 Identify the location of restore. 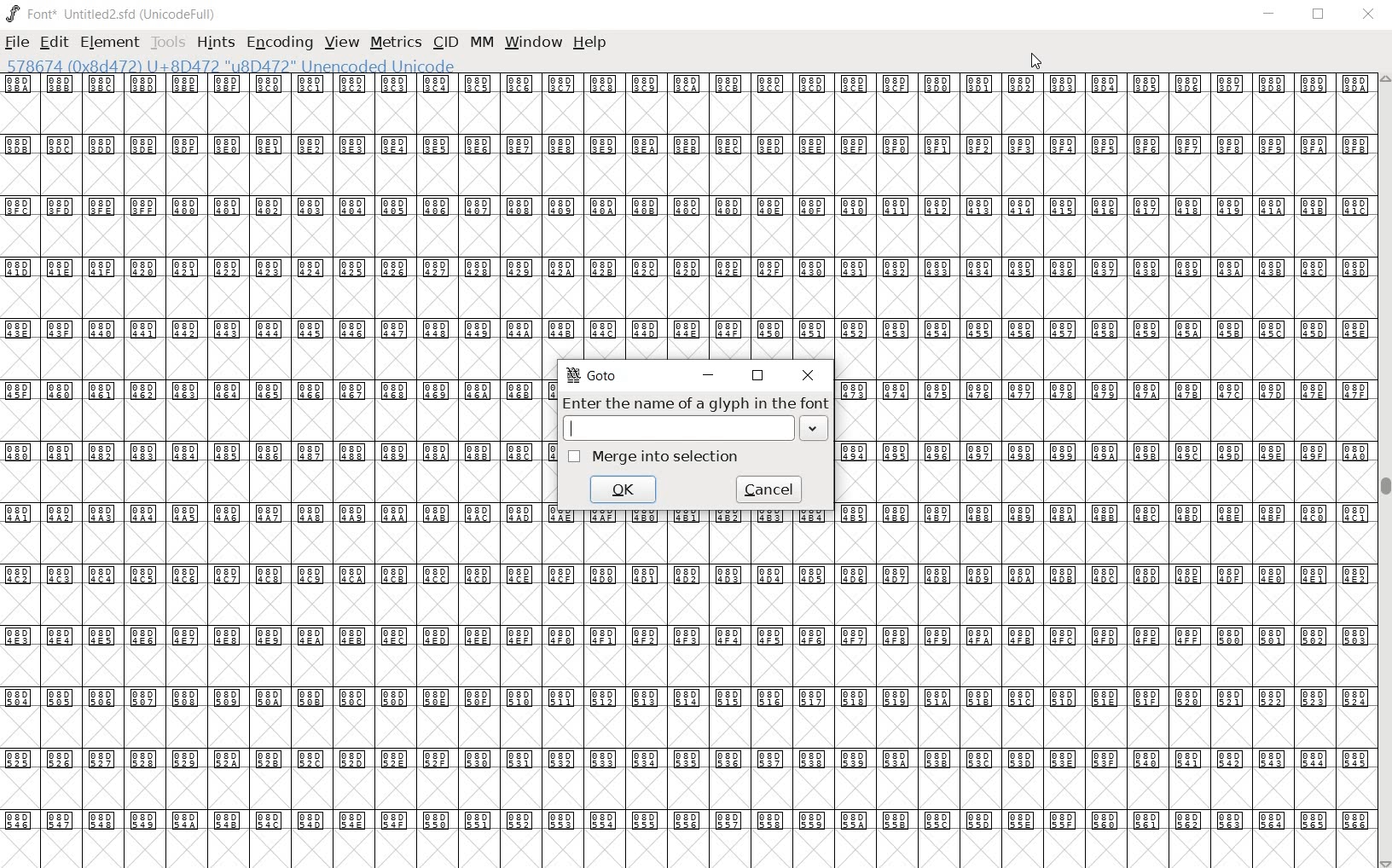
(1319, 17).